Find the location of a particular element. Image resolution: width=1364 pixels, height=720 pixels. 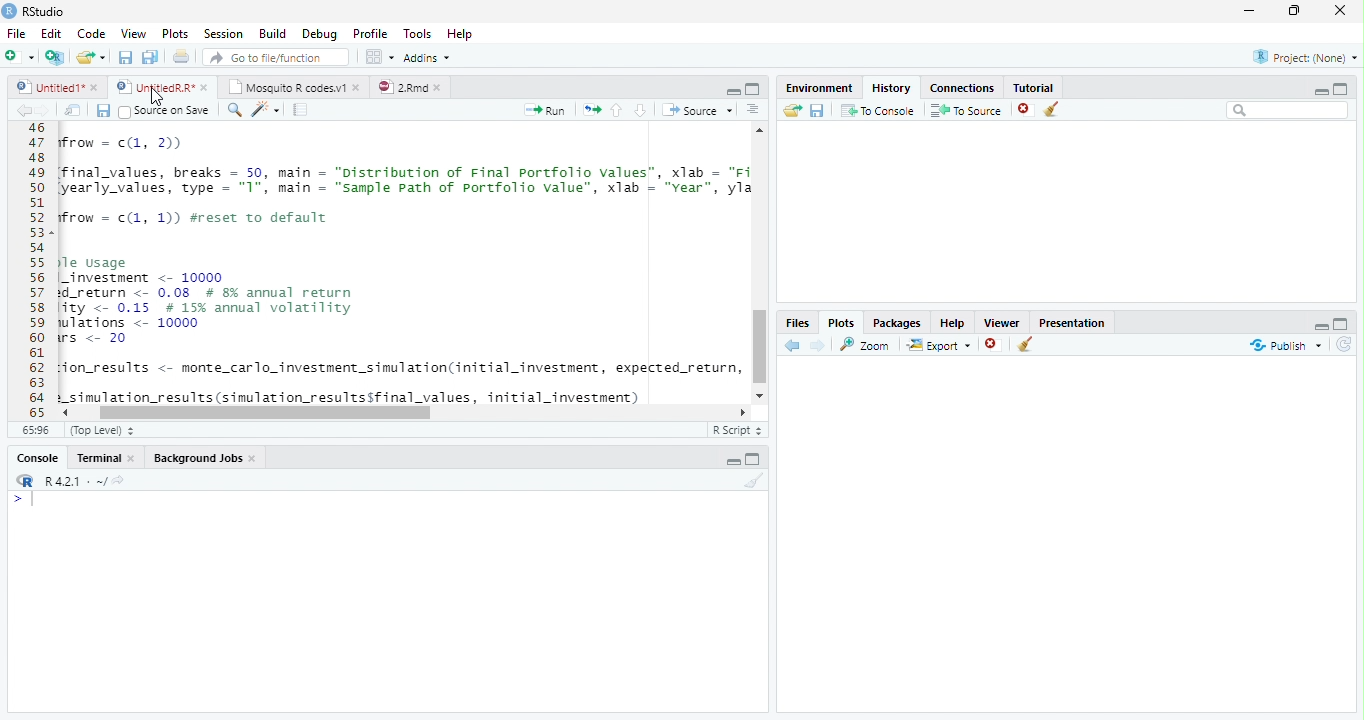

‘Connections is located at coordinates (959, 86).